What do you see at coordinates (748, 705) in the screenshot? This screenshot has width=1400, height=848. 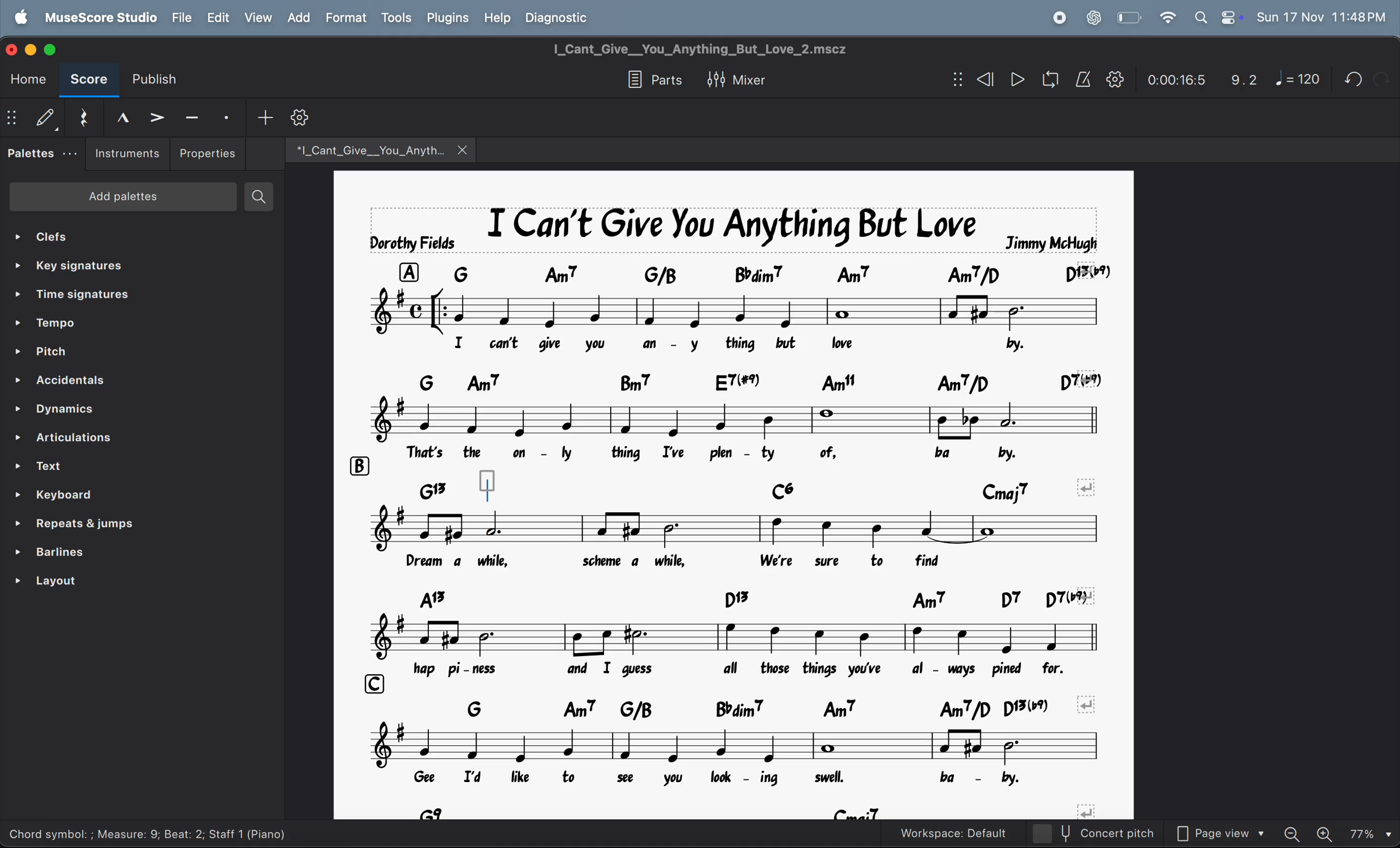 I see `` at bounding box center [748, 705].